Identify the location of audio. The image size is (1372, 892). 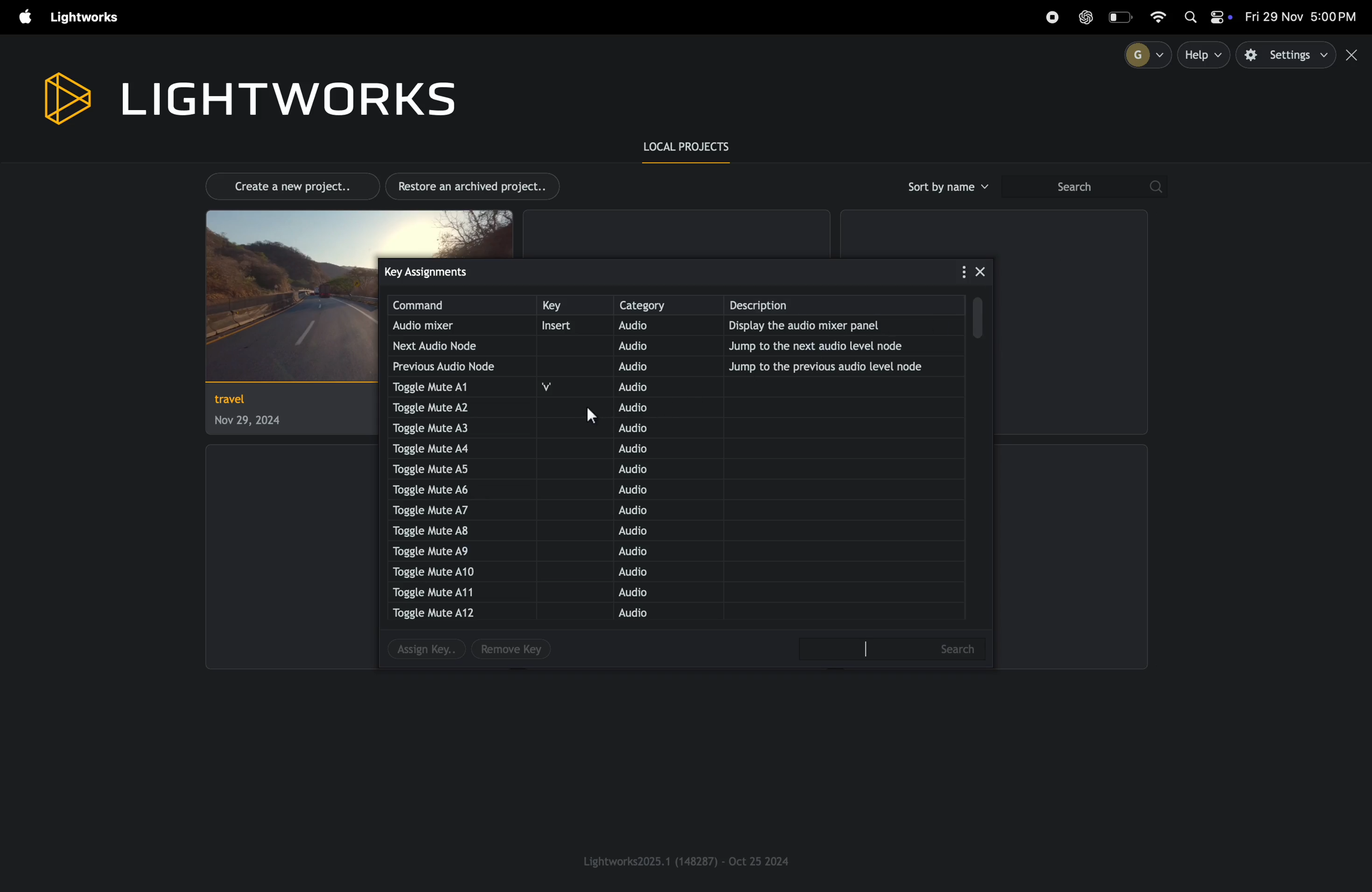
(650, 572).